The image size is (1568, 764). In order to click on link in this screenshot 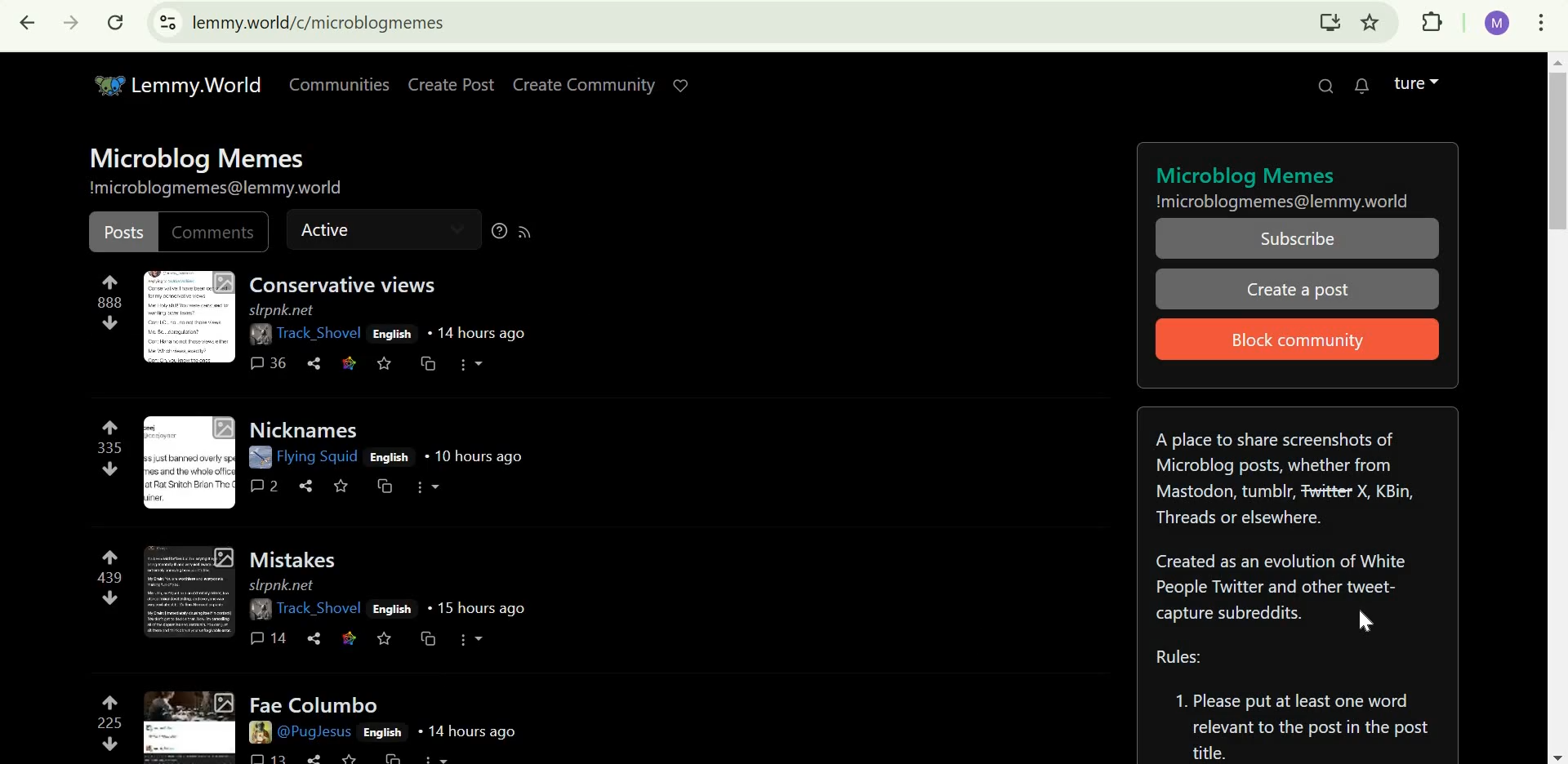, I will do `click(350, 639)`.